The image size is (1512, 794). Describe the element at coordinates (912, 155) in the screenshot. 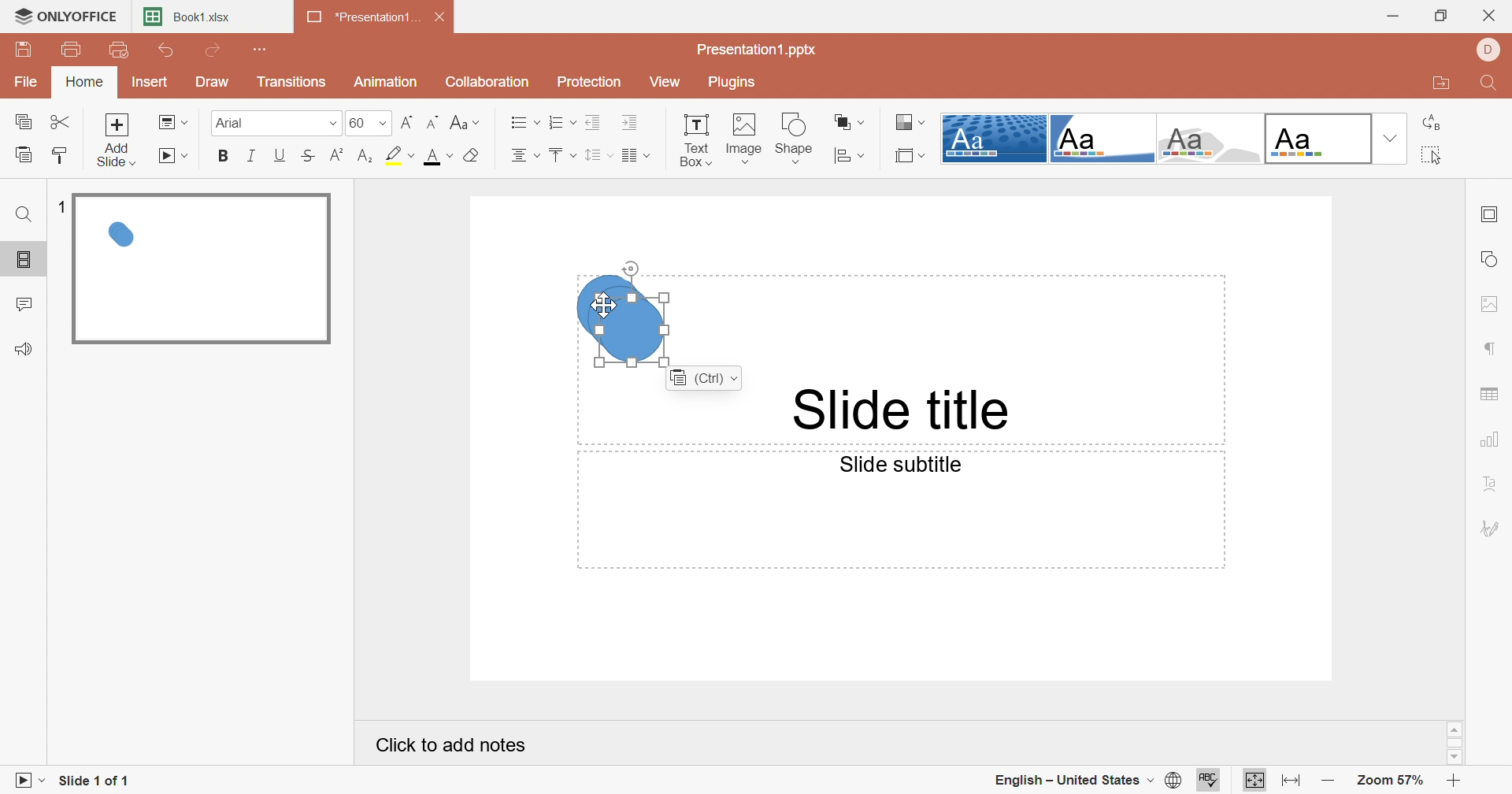

I see `Select slide size` at that location.